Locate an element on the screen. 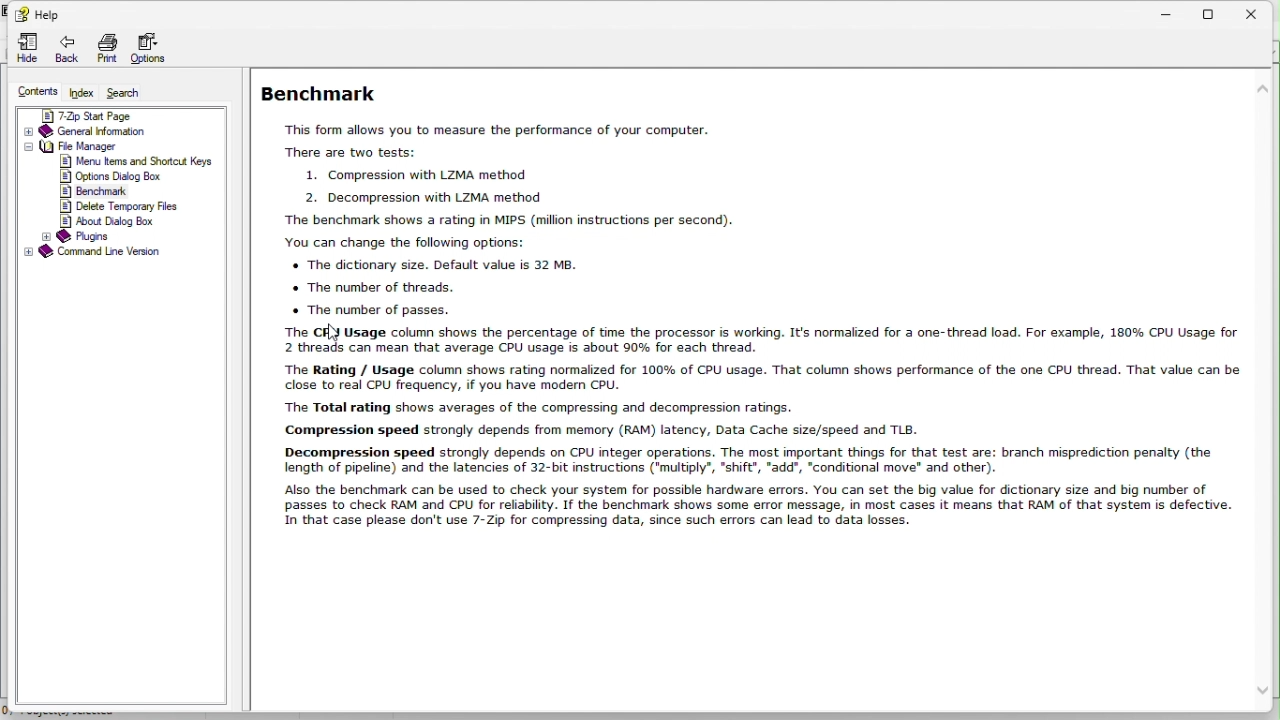 Image resolution: width=1280 pixels, height=720 pixels. Seven zip start page is located at coordinates (119, 113).